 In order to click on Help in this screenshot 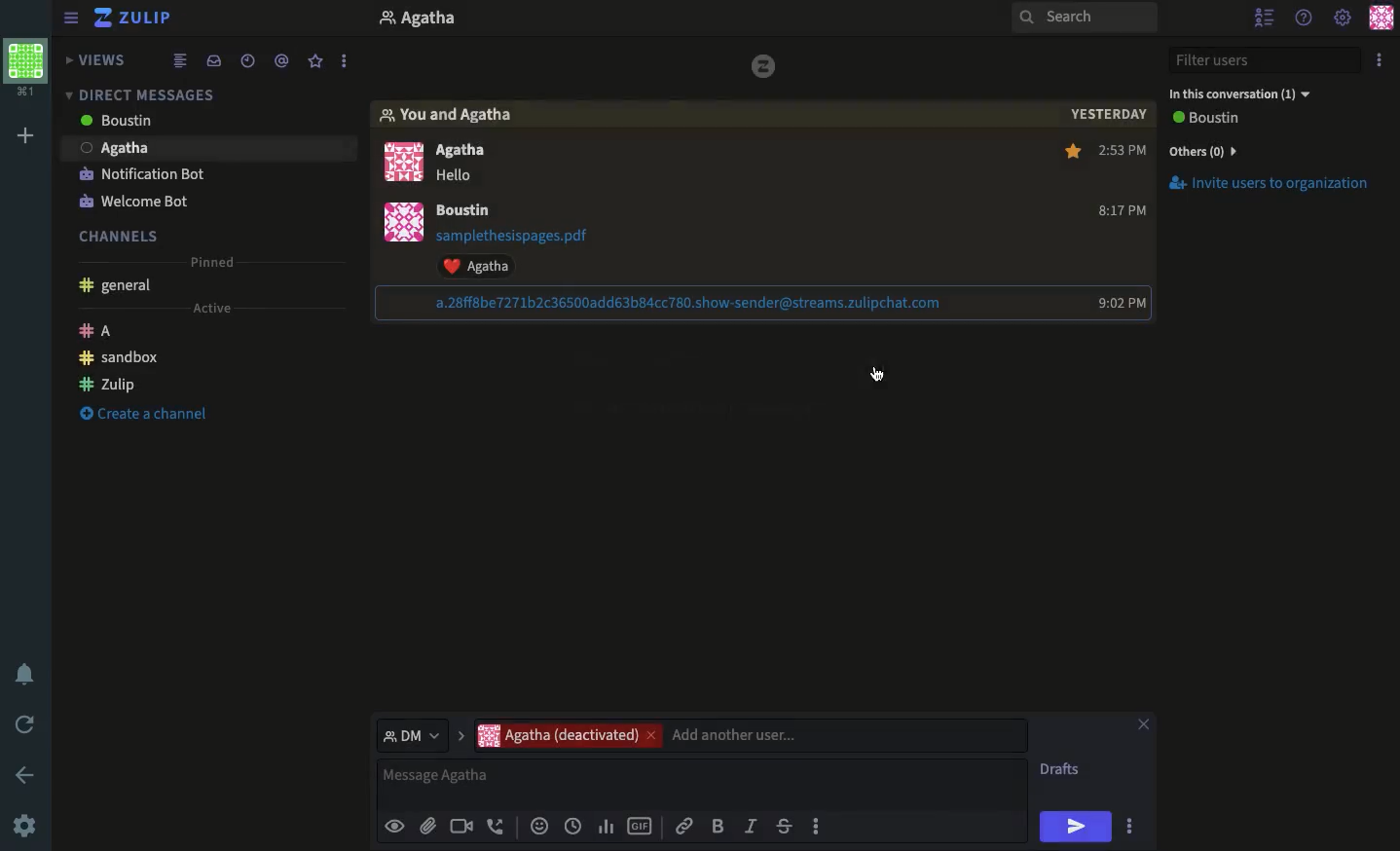, I will do `click(1303, 18)`.